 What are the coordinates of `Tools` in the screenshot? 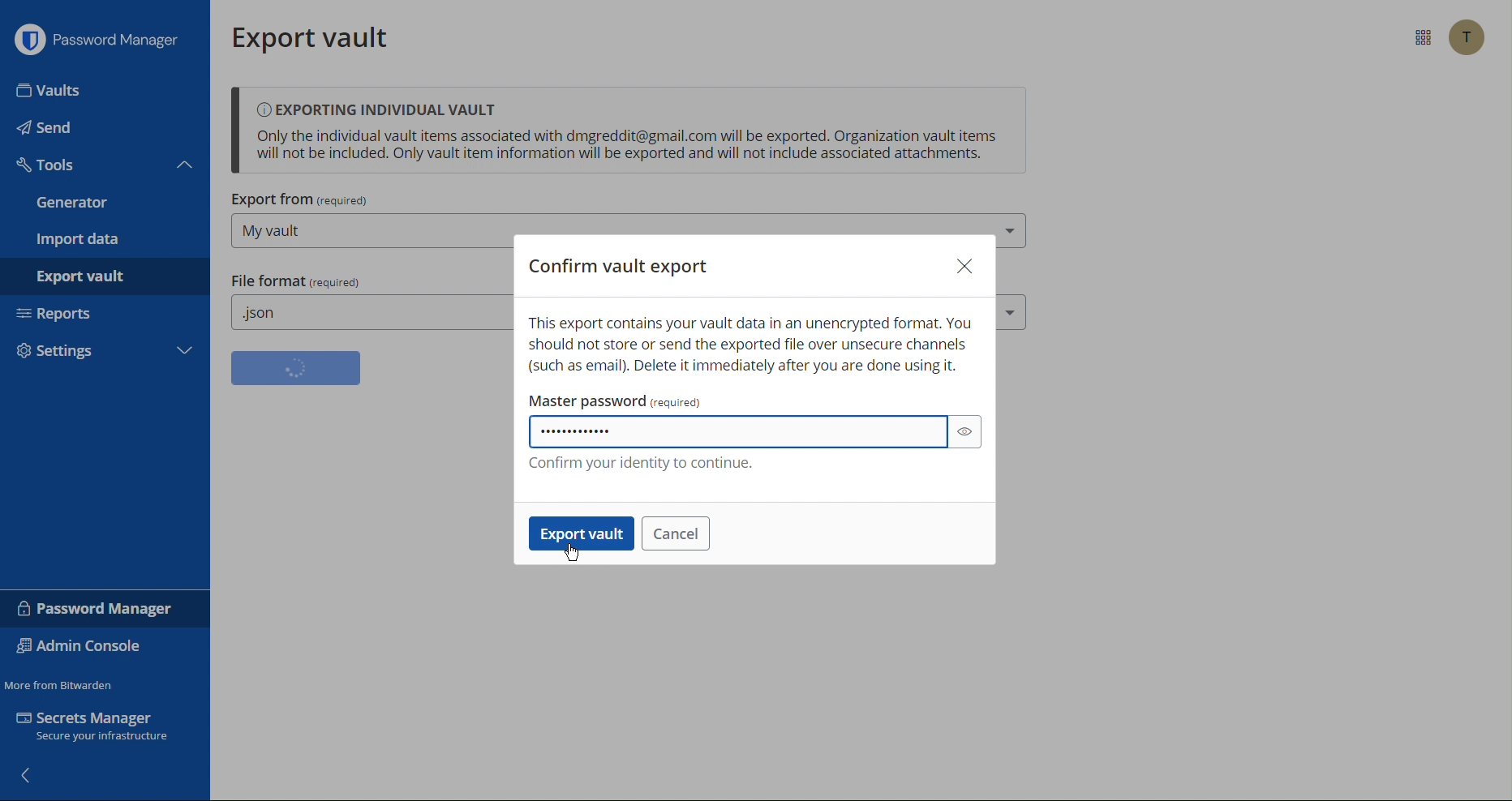 It's located at (105, 166).